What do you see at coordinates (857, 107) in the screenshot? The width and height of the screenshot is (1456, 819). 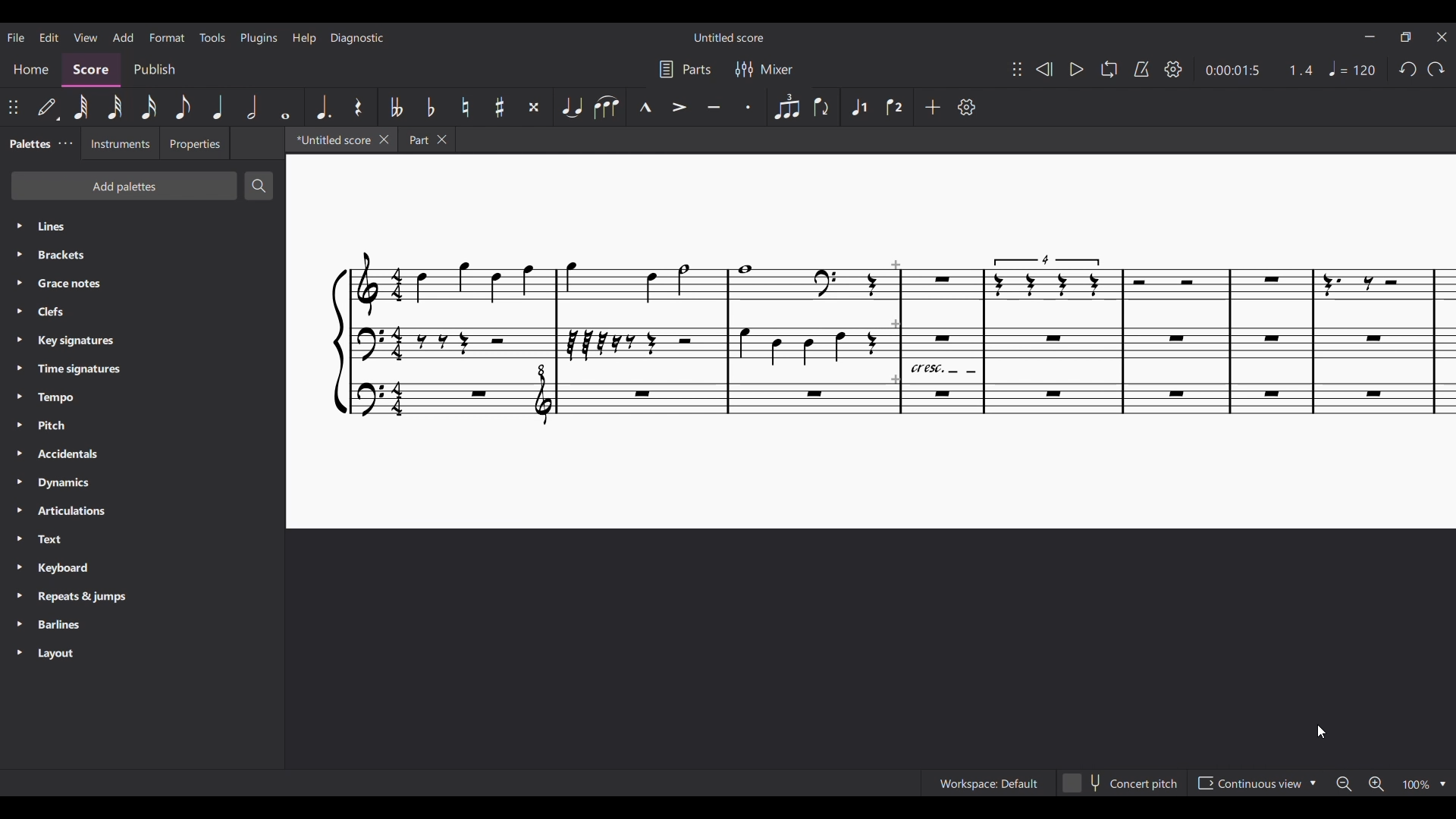 I see `Voice 1` at bounding box center [857, 107].